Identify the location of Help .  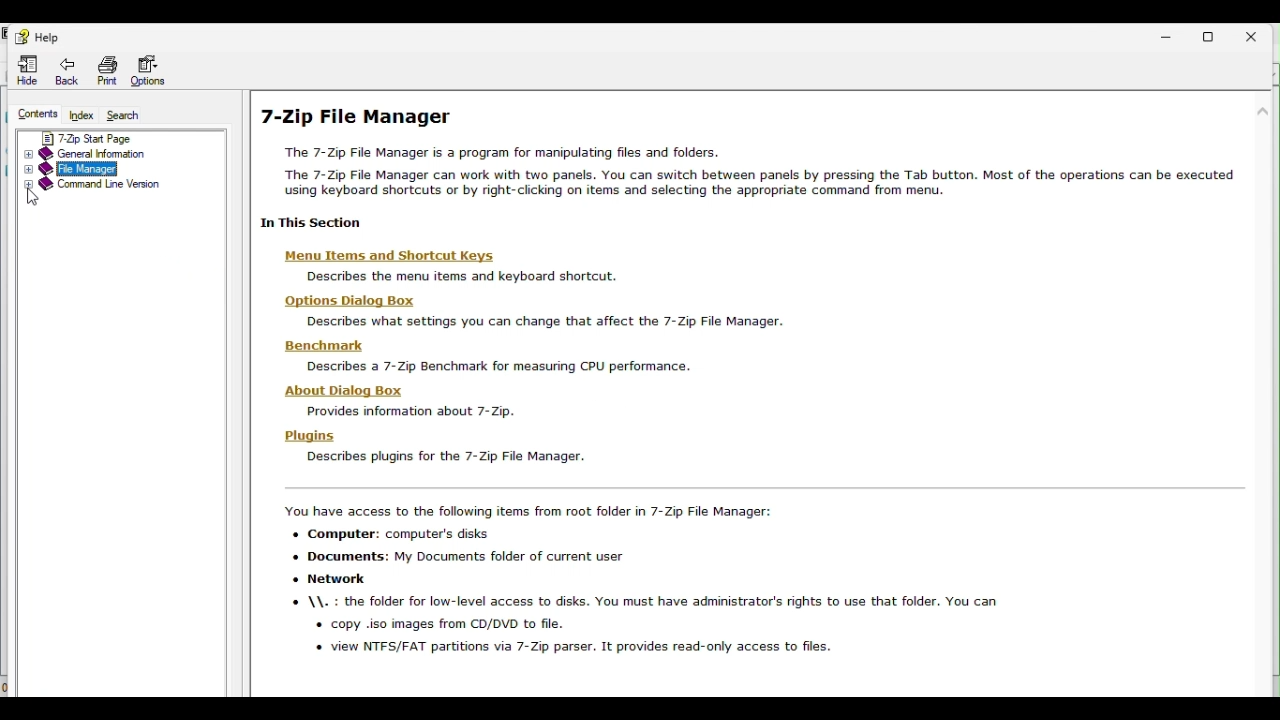
(43, 35).